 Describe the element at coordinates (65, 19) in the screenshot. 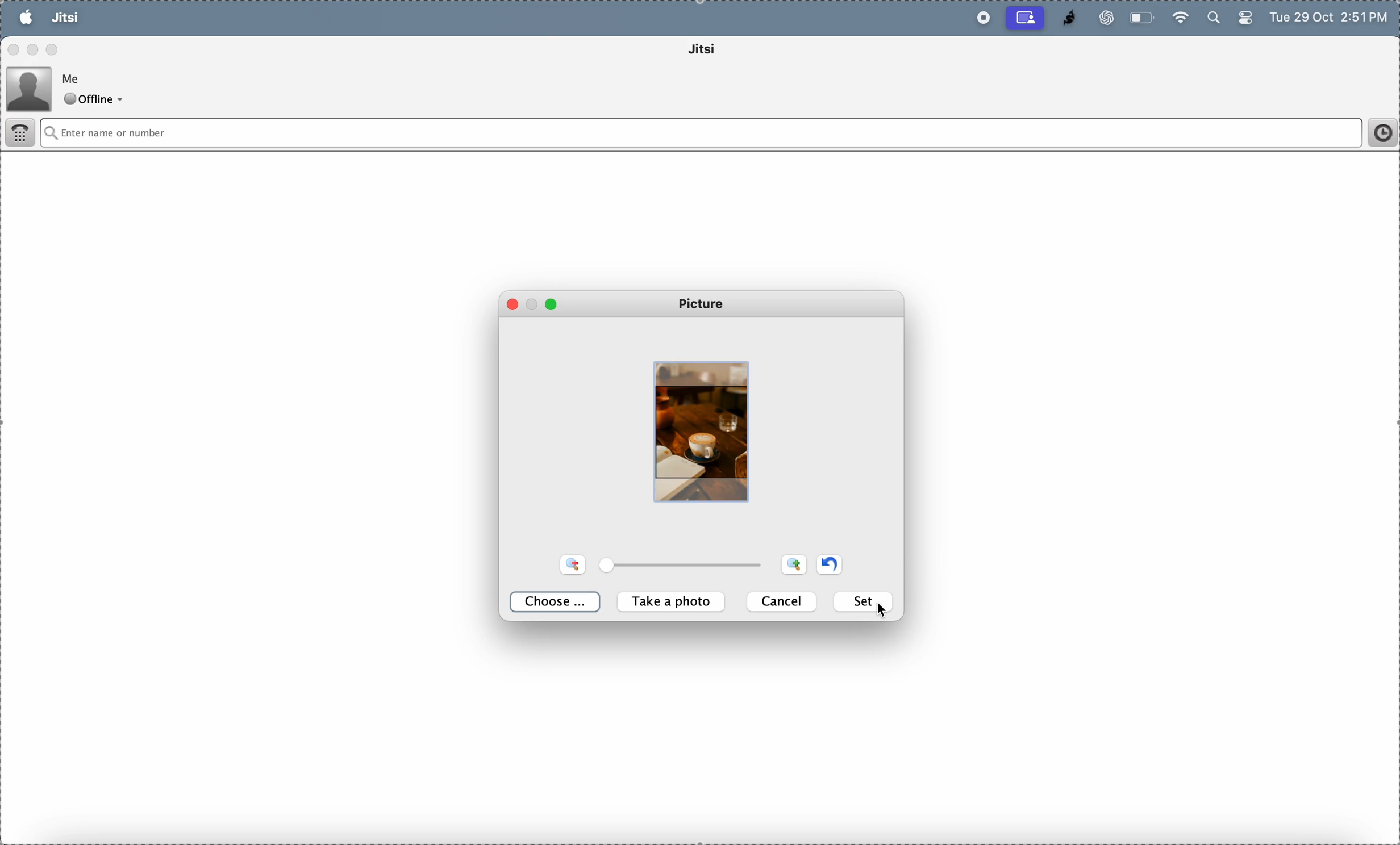

I see `jitsi menu` at that location.